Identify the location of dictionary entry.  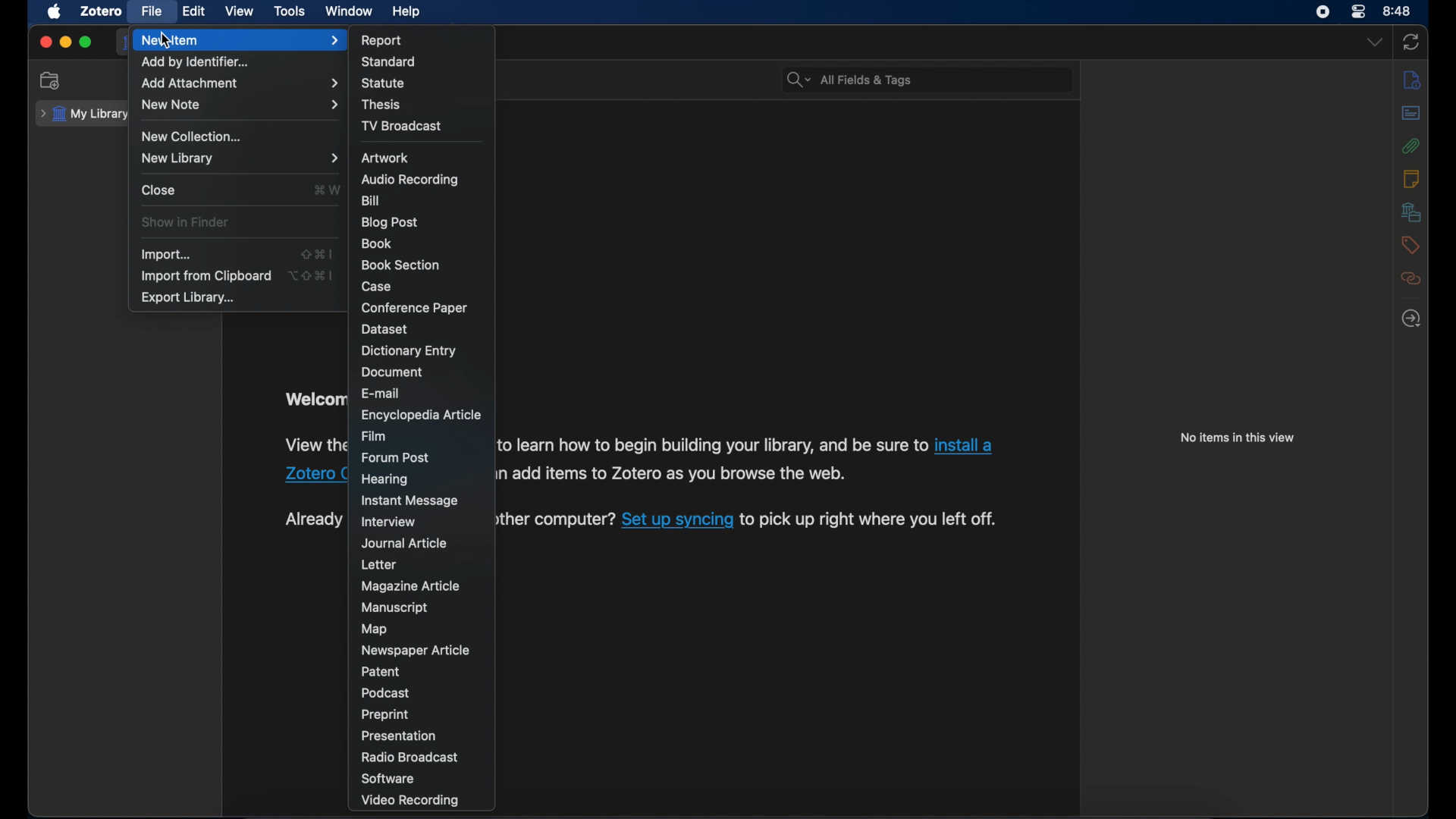
(410, 351).